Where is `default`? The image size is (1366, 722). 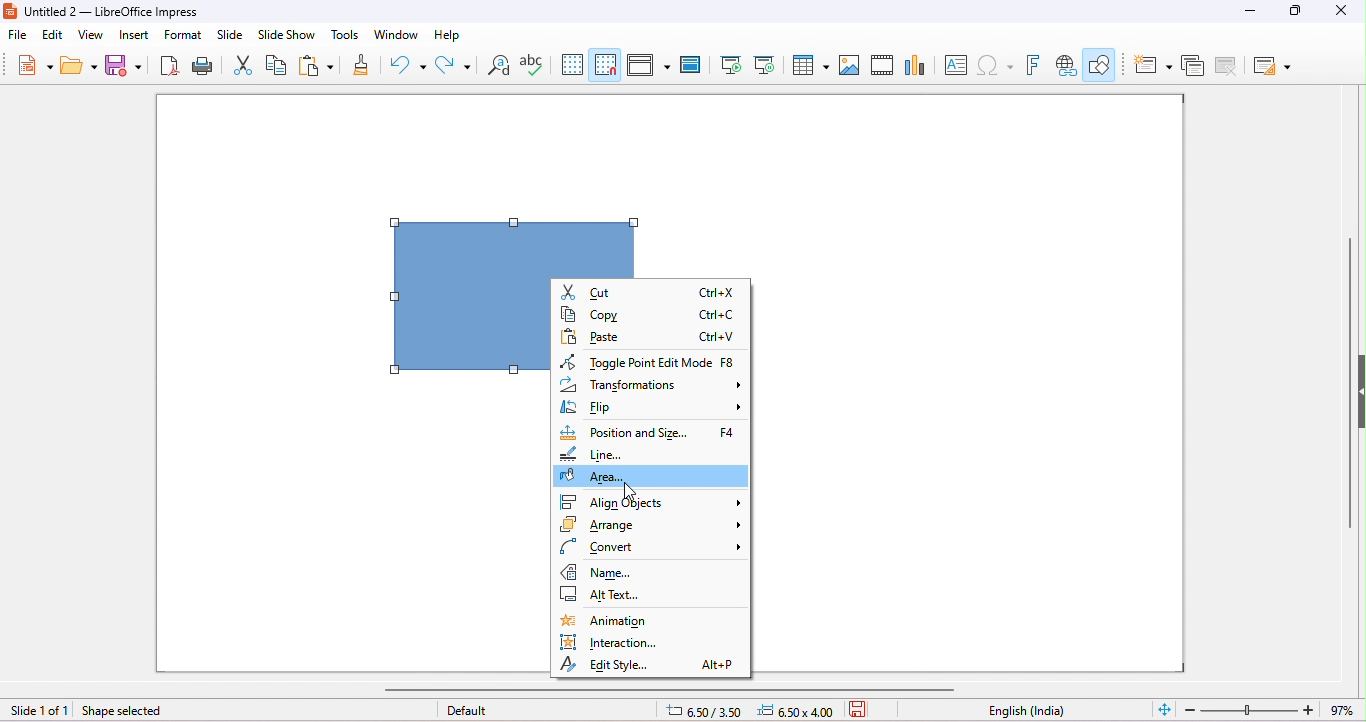
default is located at coordinates (468, 710).